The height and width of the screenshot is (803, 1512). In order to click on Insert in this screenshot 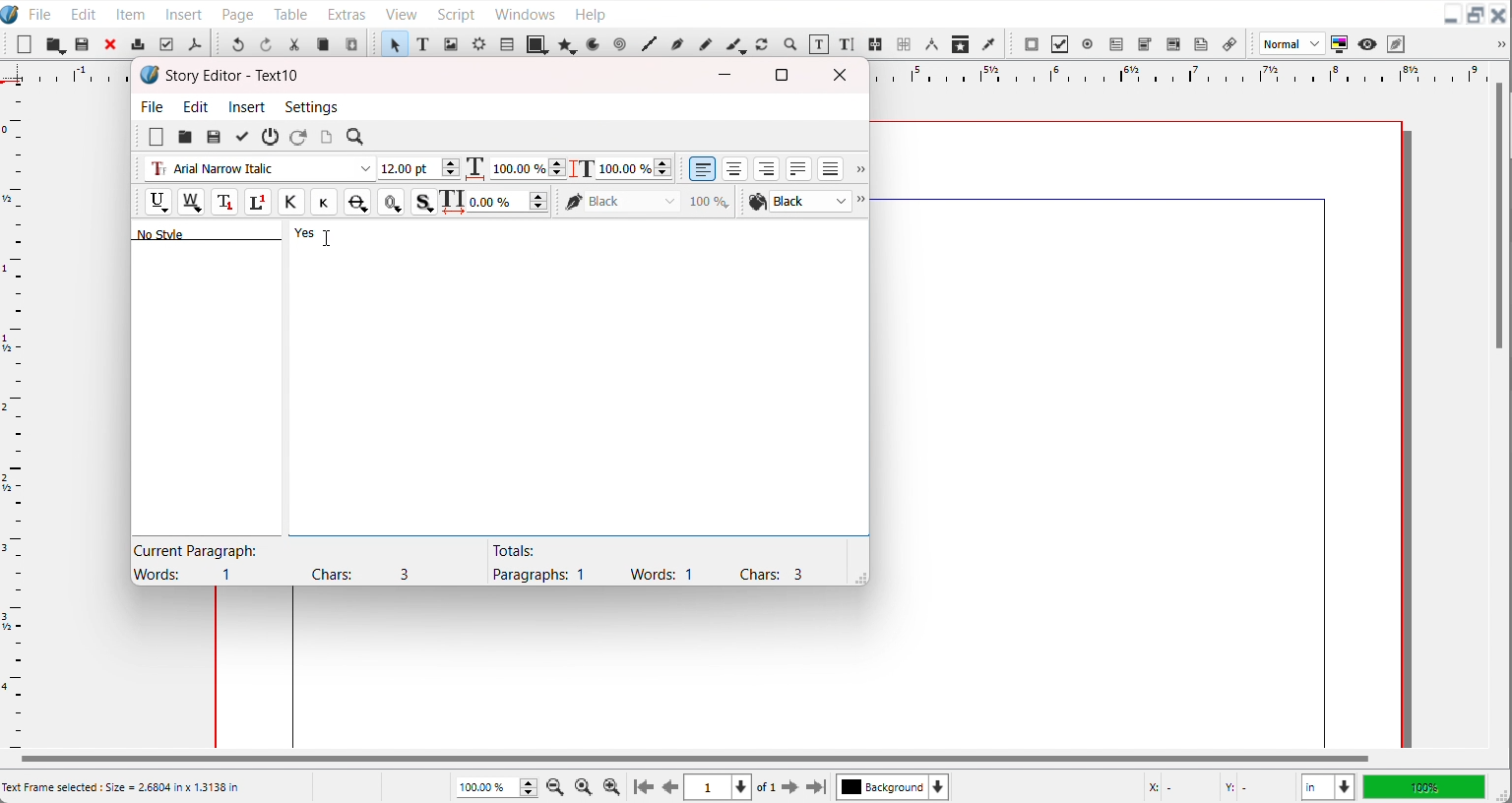, I will do `click(185, 13)`.